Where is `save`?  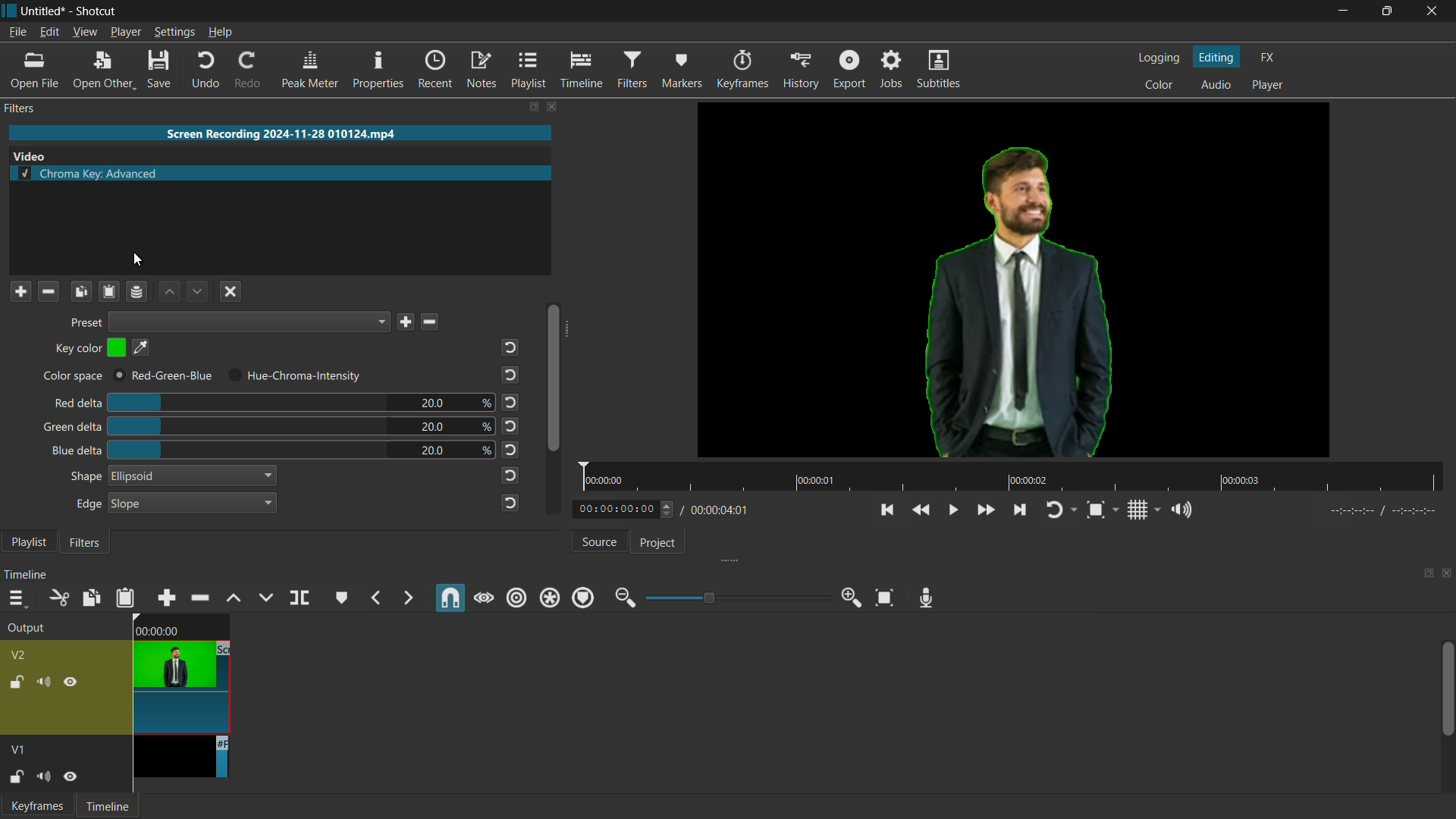
save is located at coordinates (406, 322).